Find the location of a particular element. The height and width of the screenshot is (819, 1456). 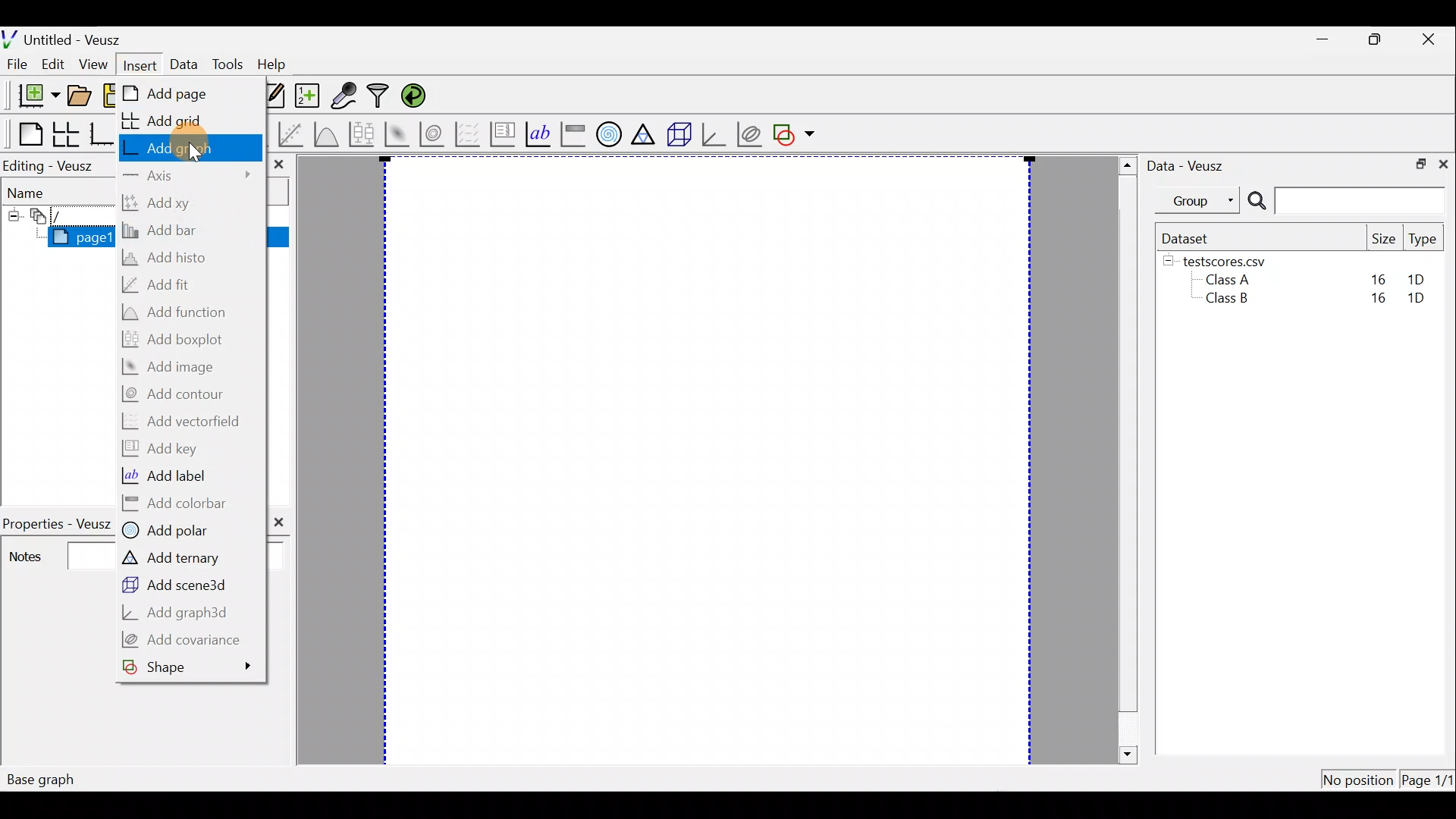

Group is located at coordinates (1200, 200).